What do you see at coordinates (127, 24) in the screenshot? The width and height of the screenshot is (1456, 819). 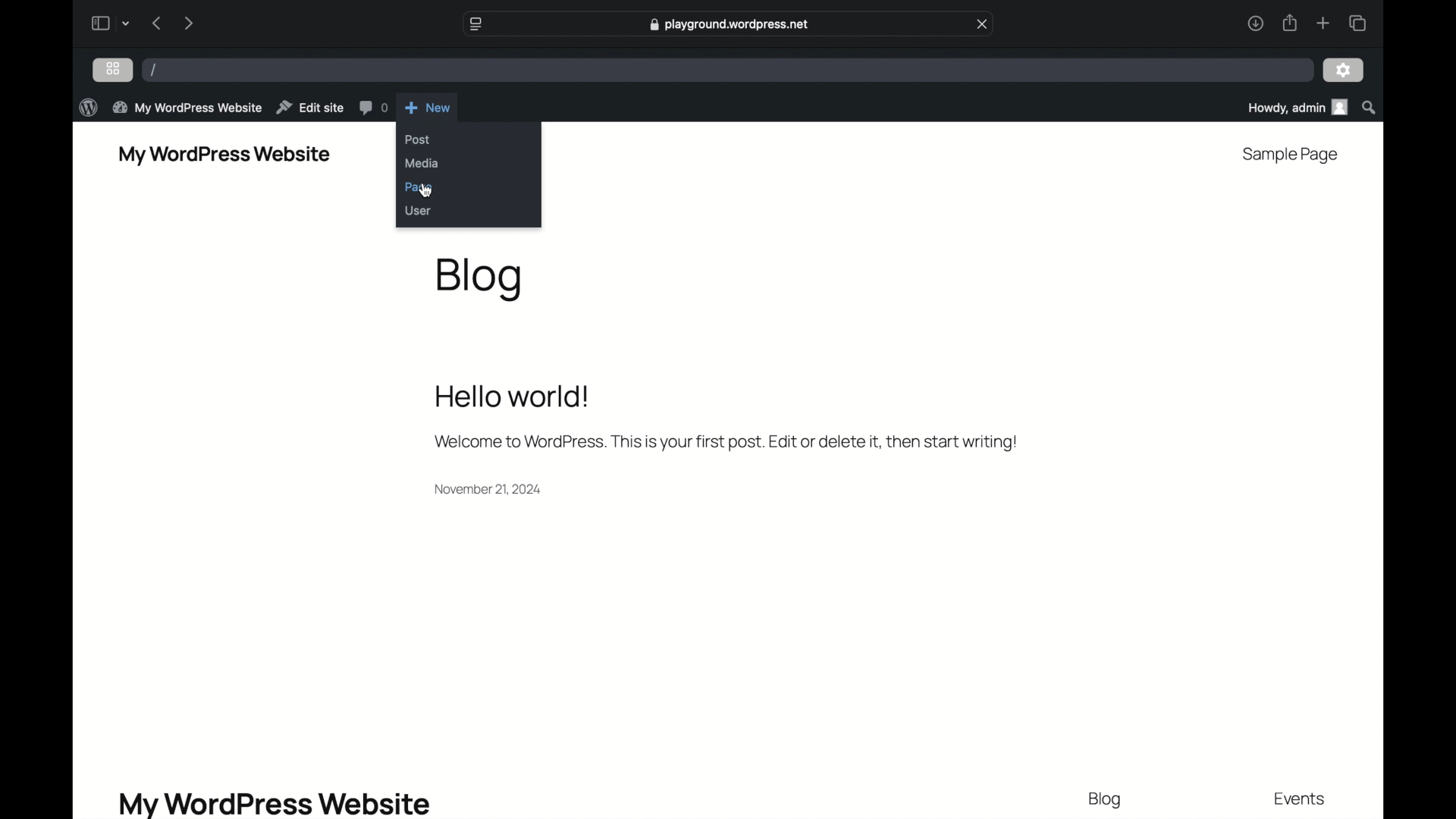 I see `dropdown` at bounding box center [127, 24].